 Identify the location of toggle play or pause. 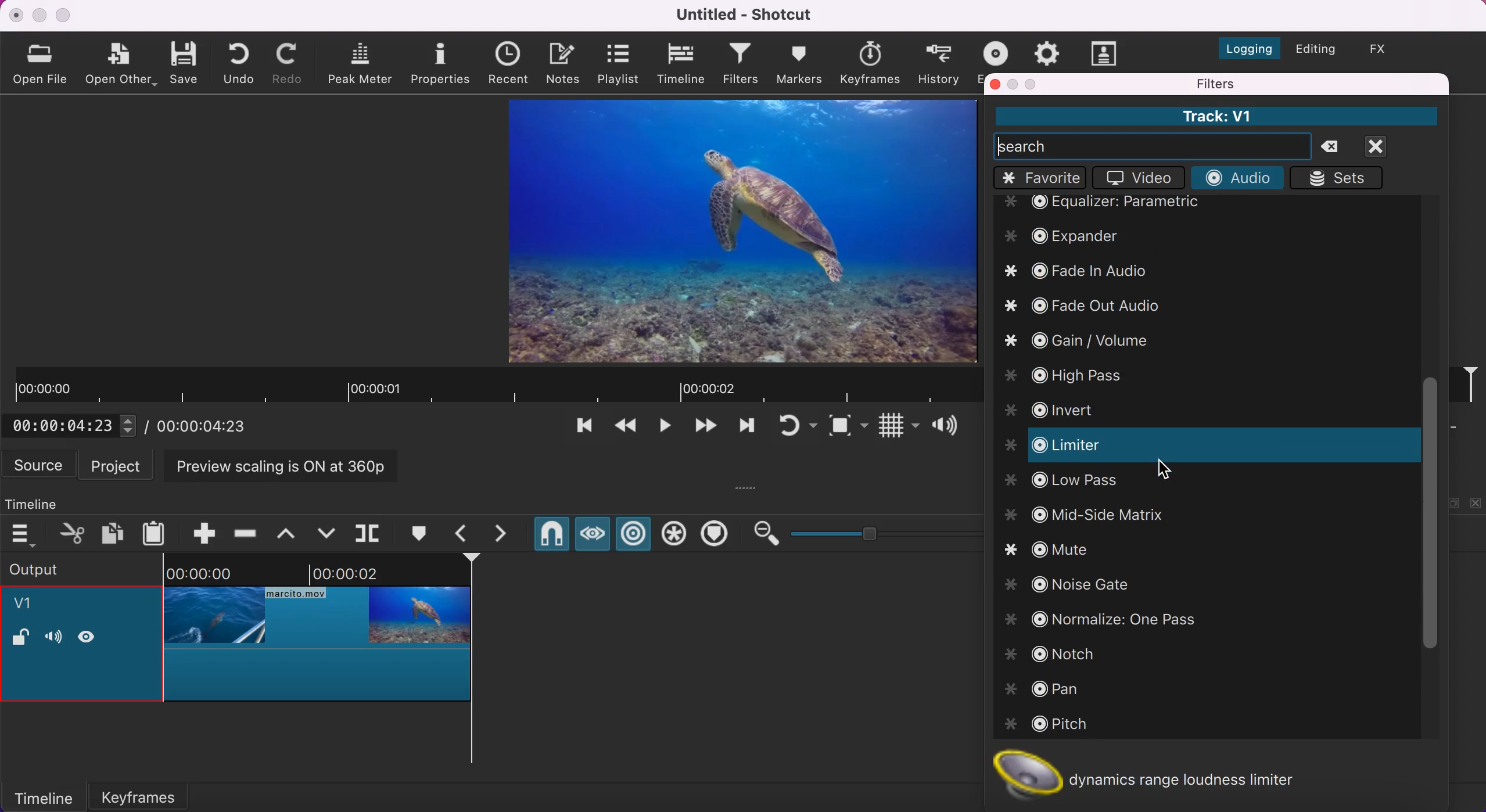
(665, 429).